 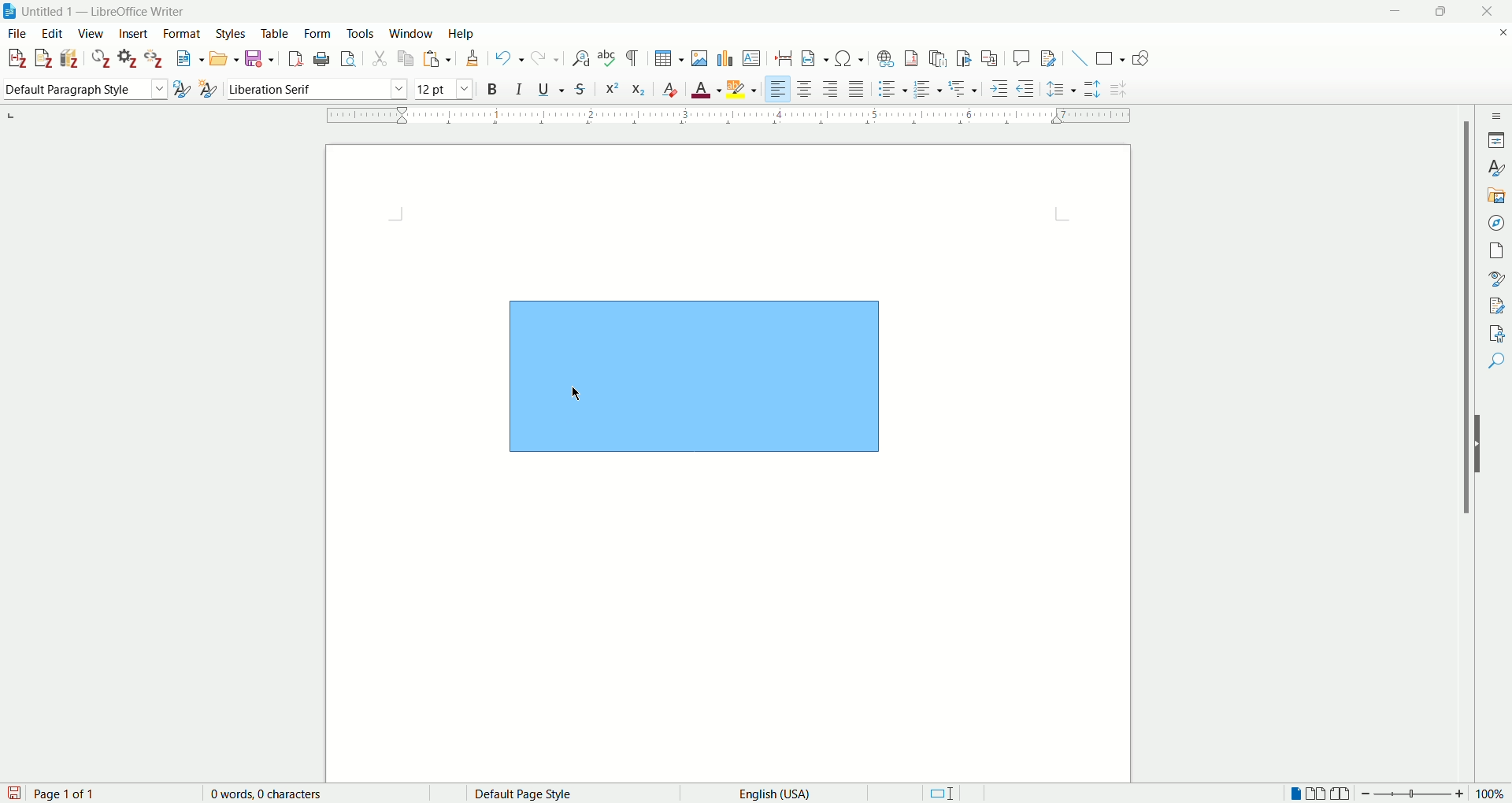 What do you see at coordinates (1316, 792) in the screenshot?
I see `double page view` at bounding box center [1316, 792].